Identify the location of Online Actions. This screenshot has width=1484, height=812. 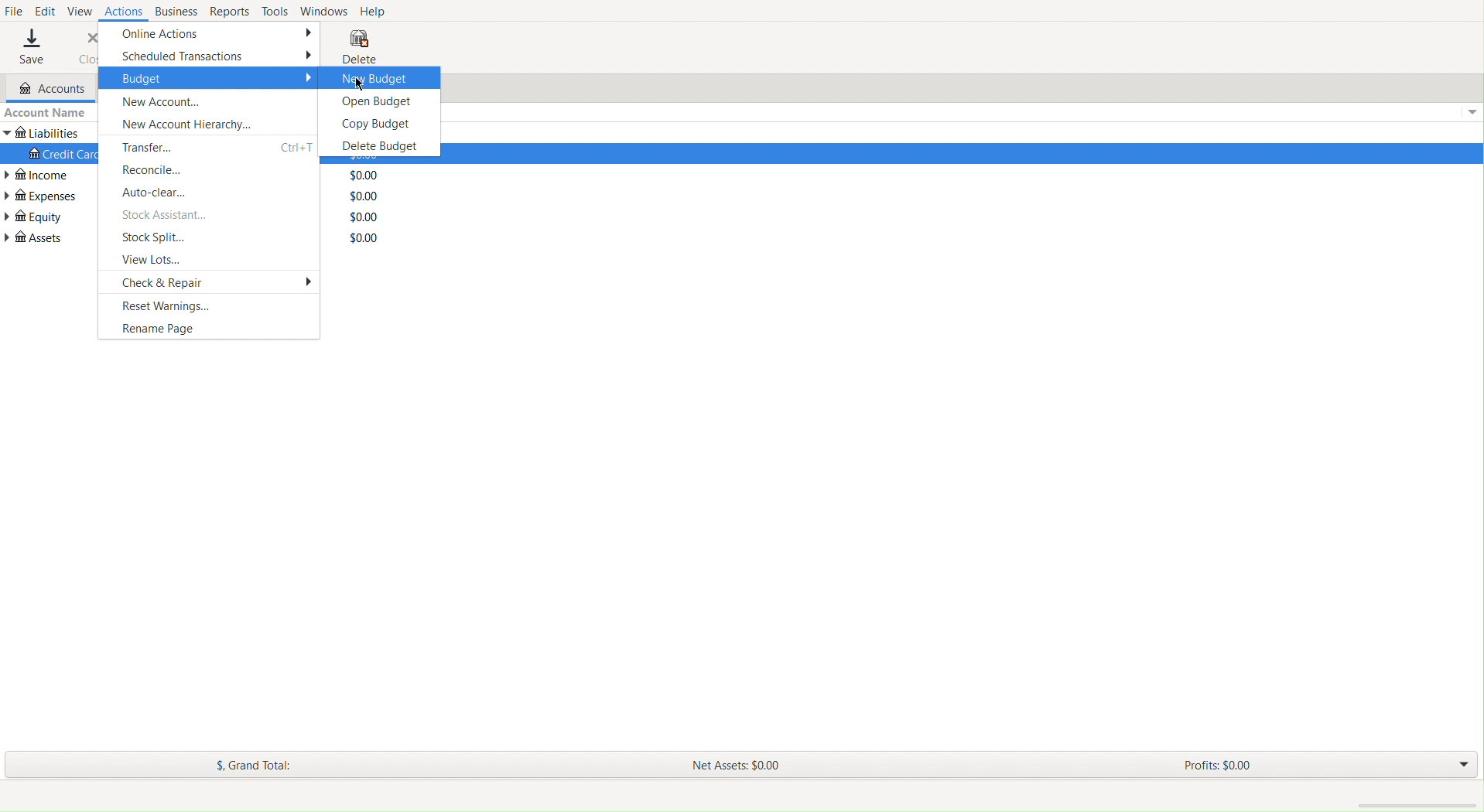
(210, 33).